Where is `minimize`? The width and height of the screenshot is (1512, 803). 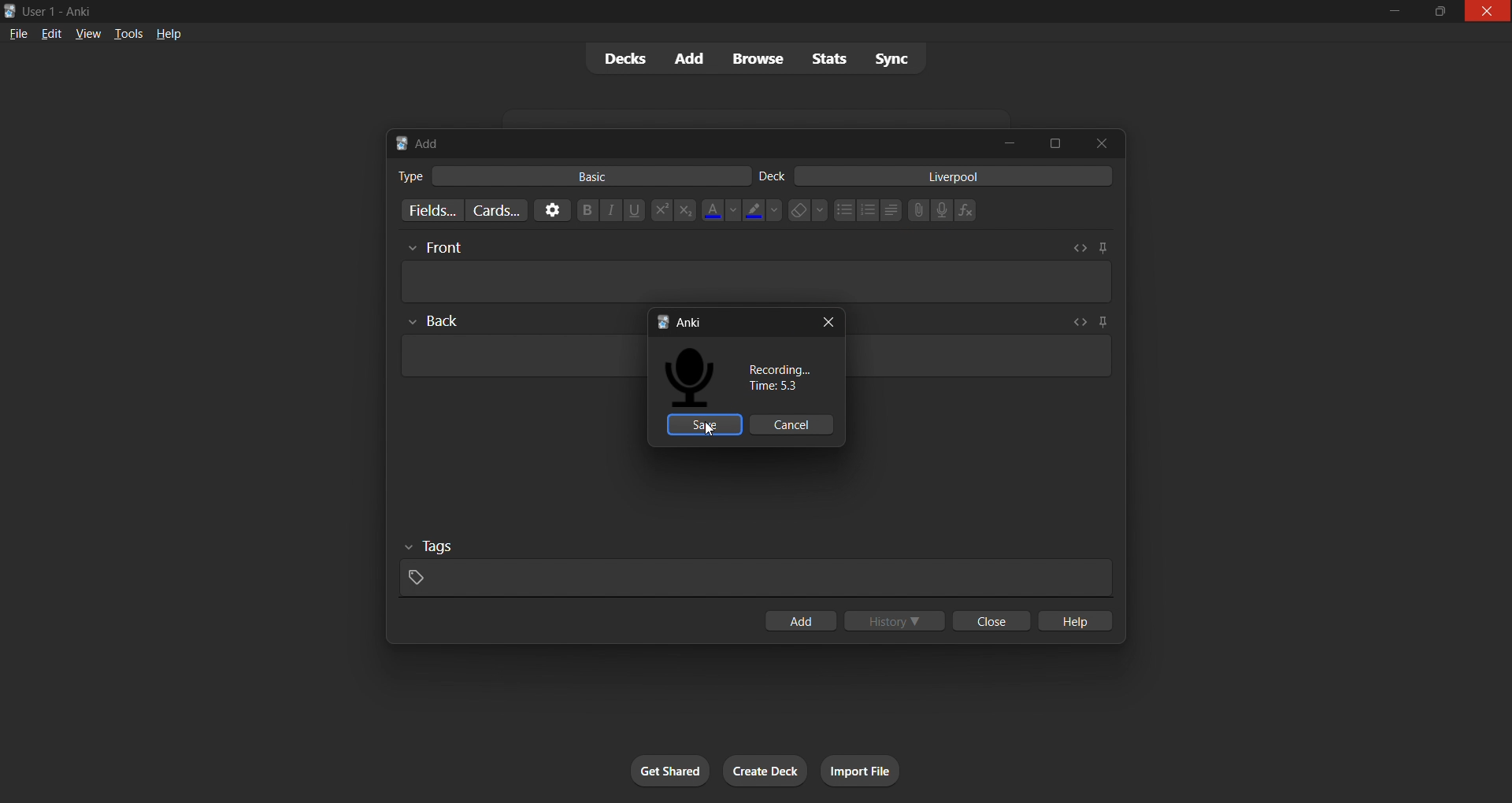 minimize is located at coordinates (1013, 142).